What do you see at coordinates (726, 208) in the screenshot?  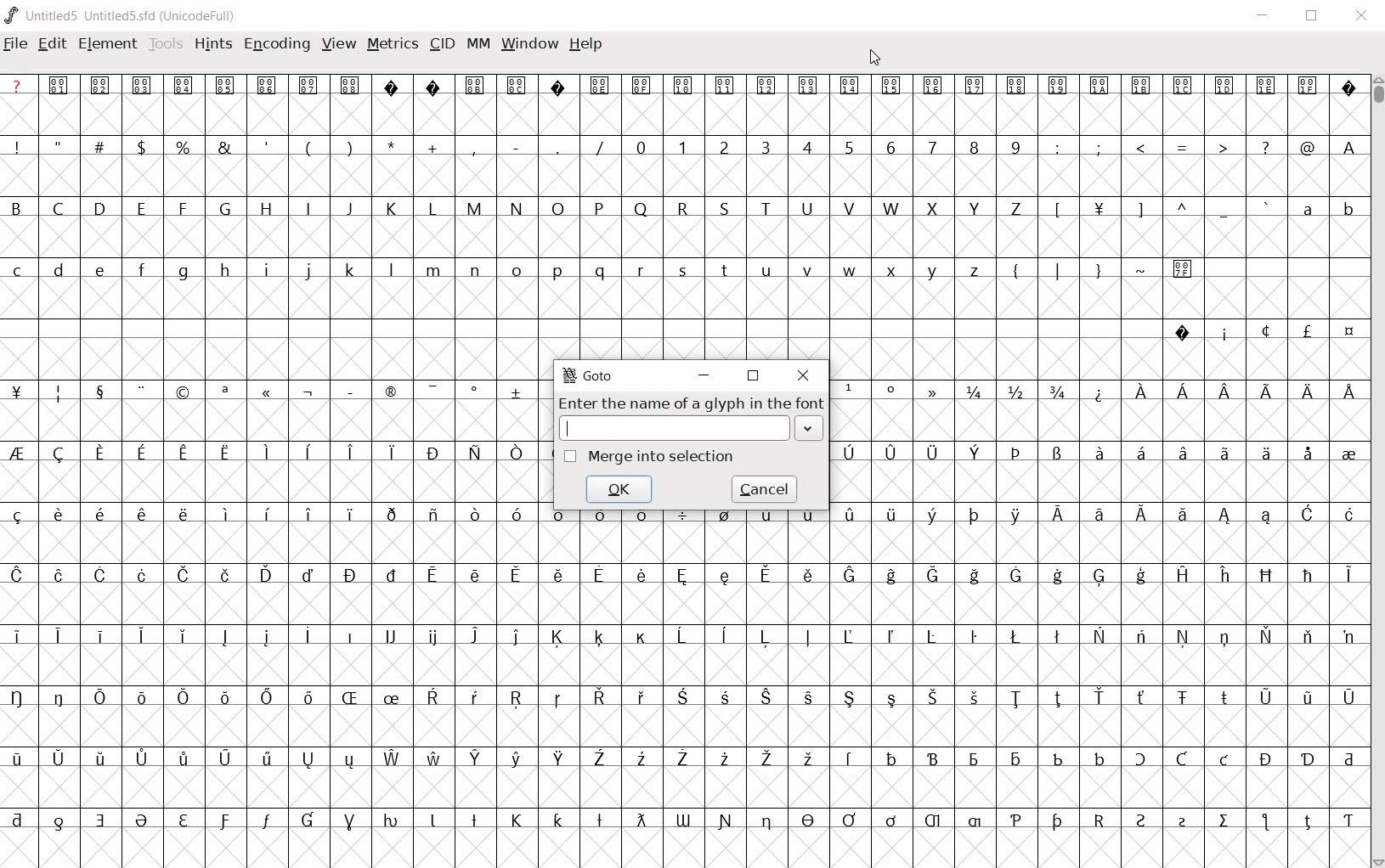 I see `S` at bounding box center [726, 208].